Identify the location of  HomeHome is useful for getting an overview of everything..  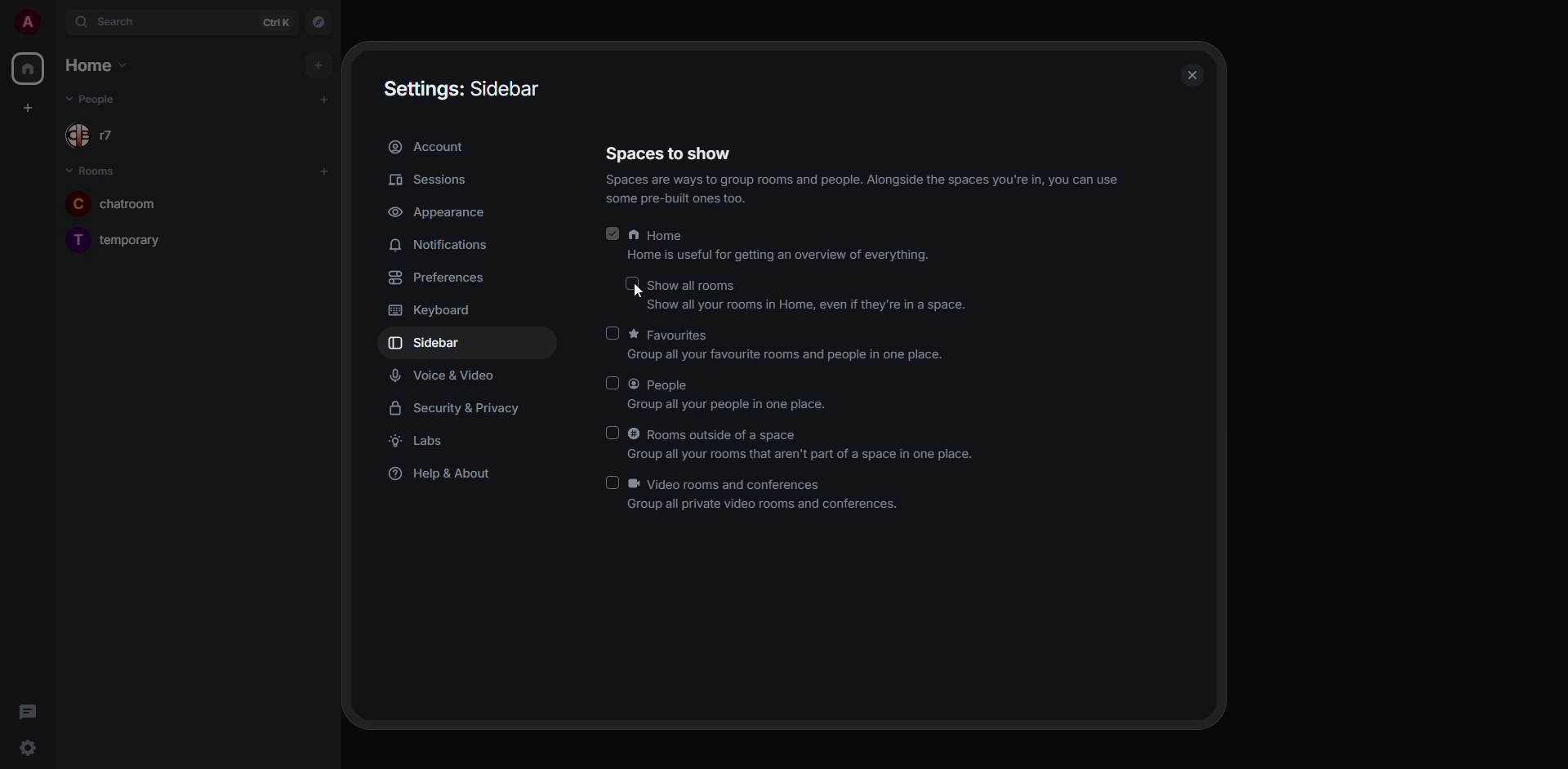
(784, 246).